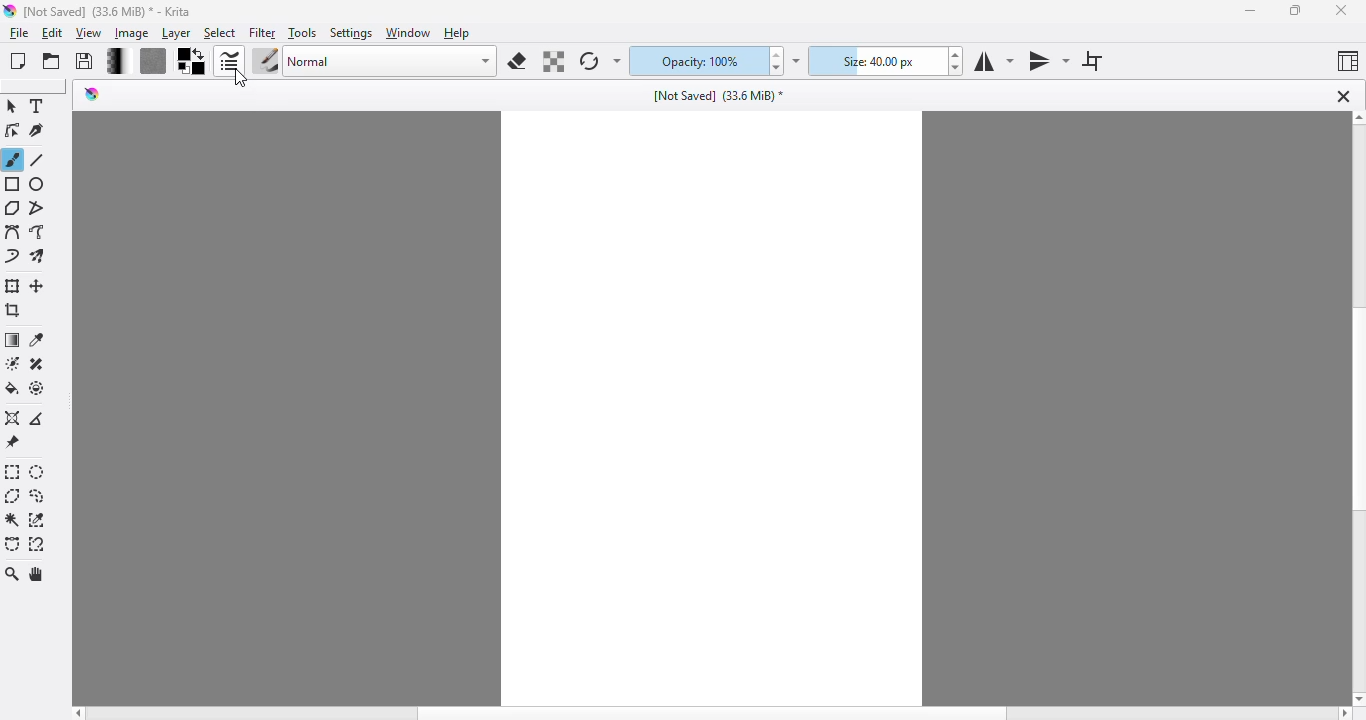 This screenshot has width=1366, height=720. I want to click on file, so click(19, 34).